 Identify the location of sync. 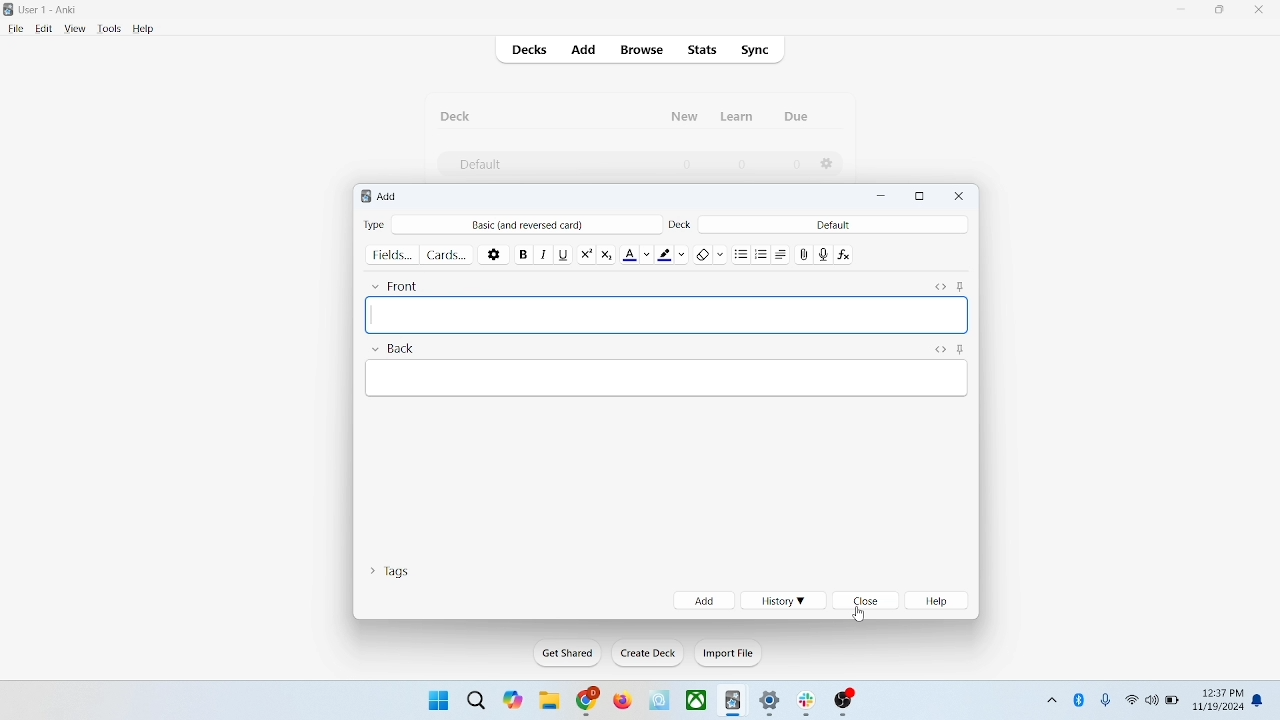
(756, 51).